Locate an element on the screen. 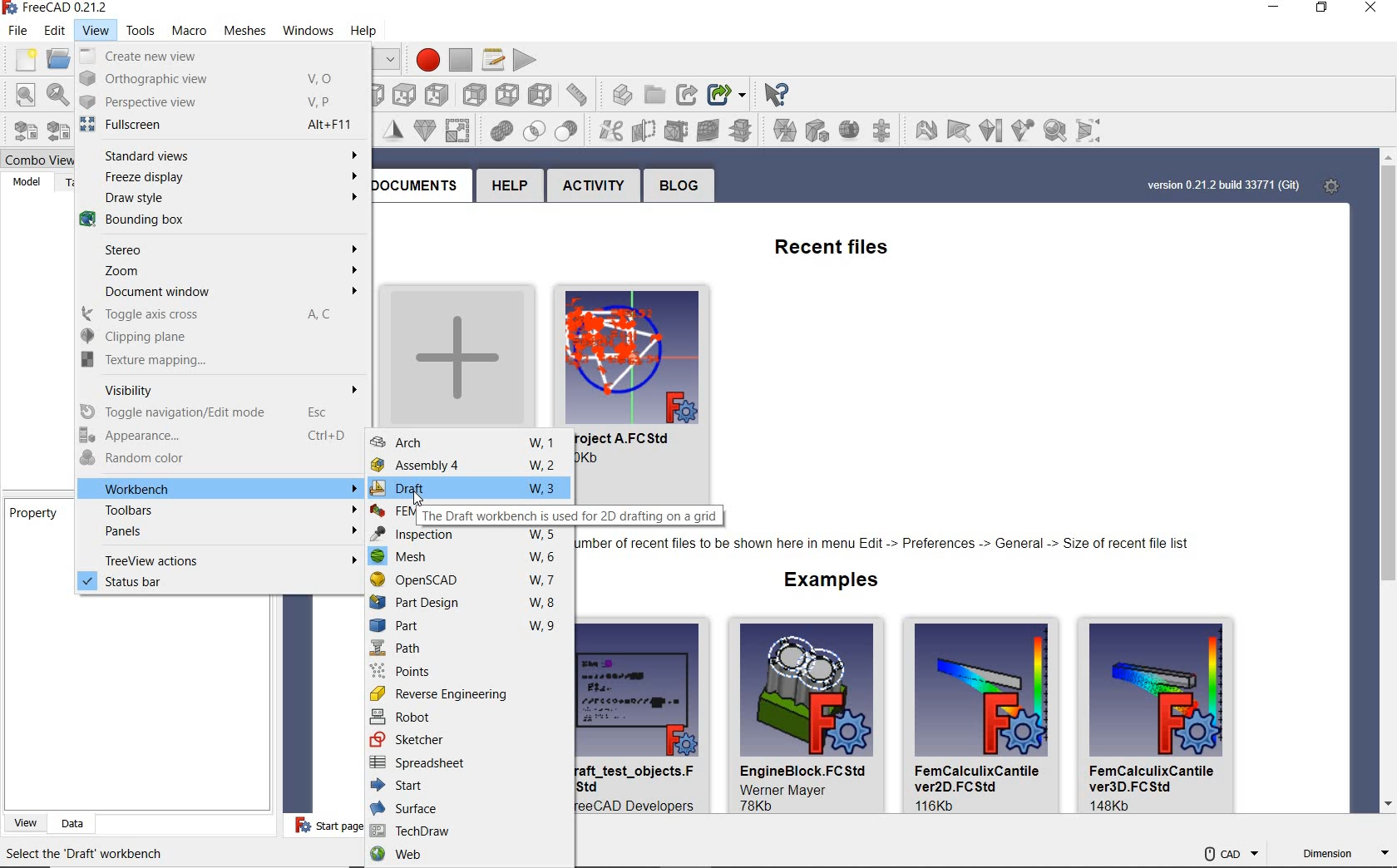  help is located at coordinates (508, 188).